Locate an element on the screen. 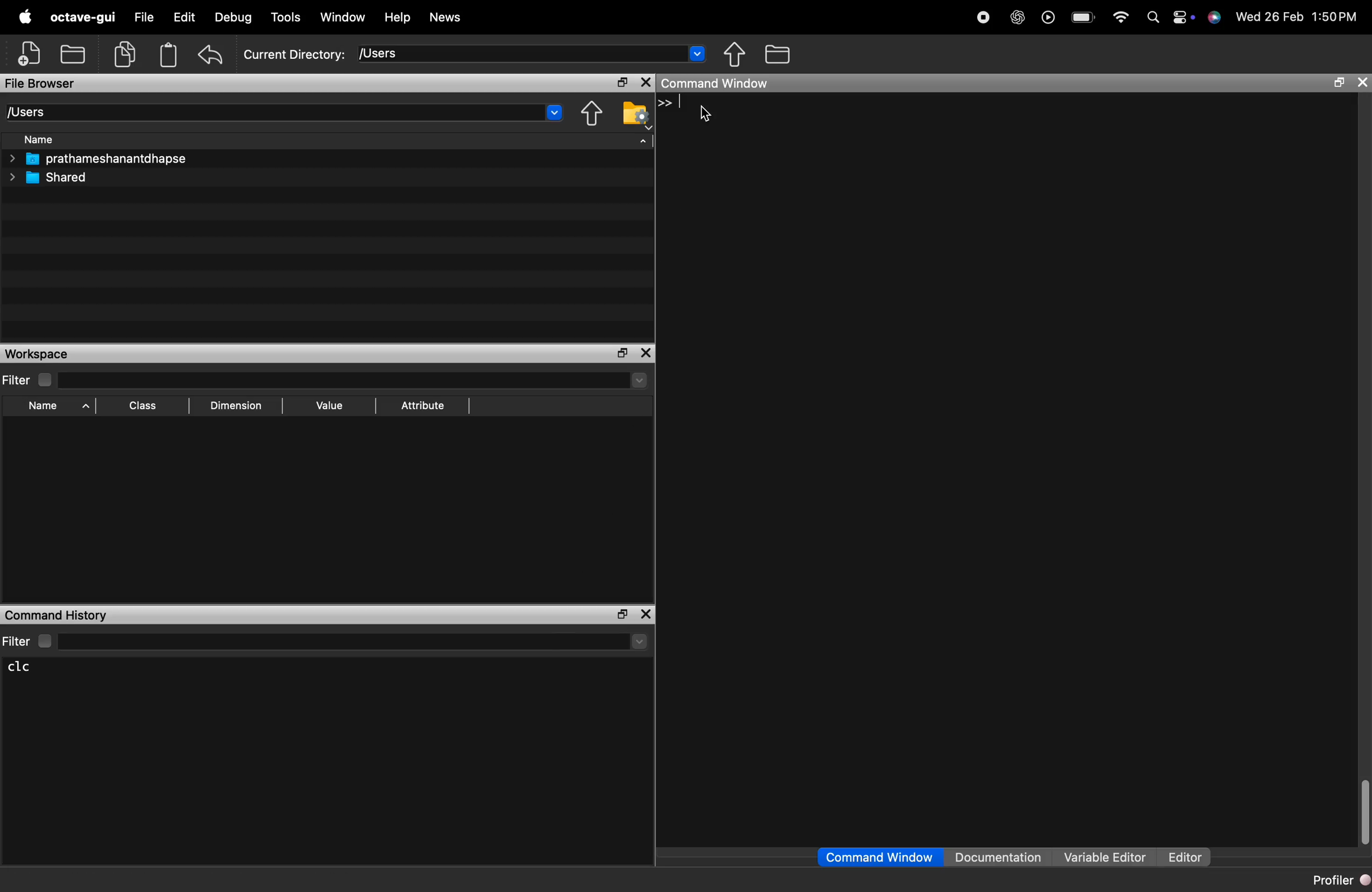  Debug is located at coordinates (235, 17).